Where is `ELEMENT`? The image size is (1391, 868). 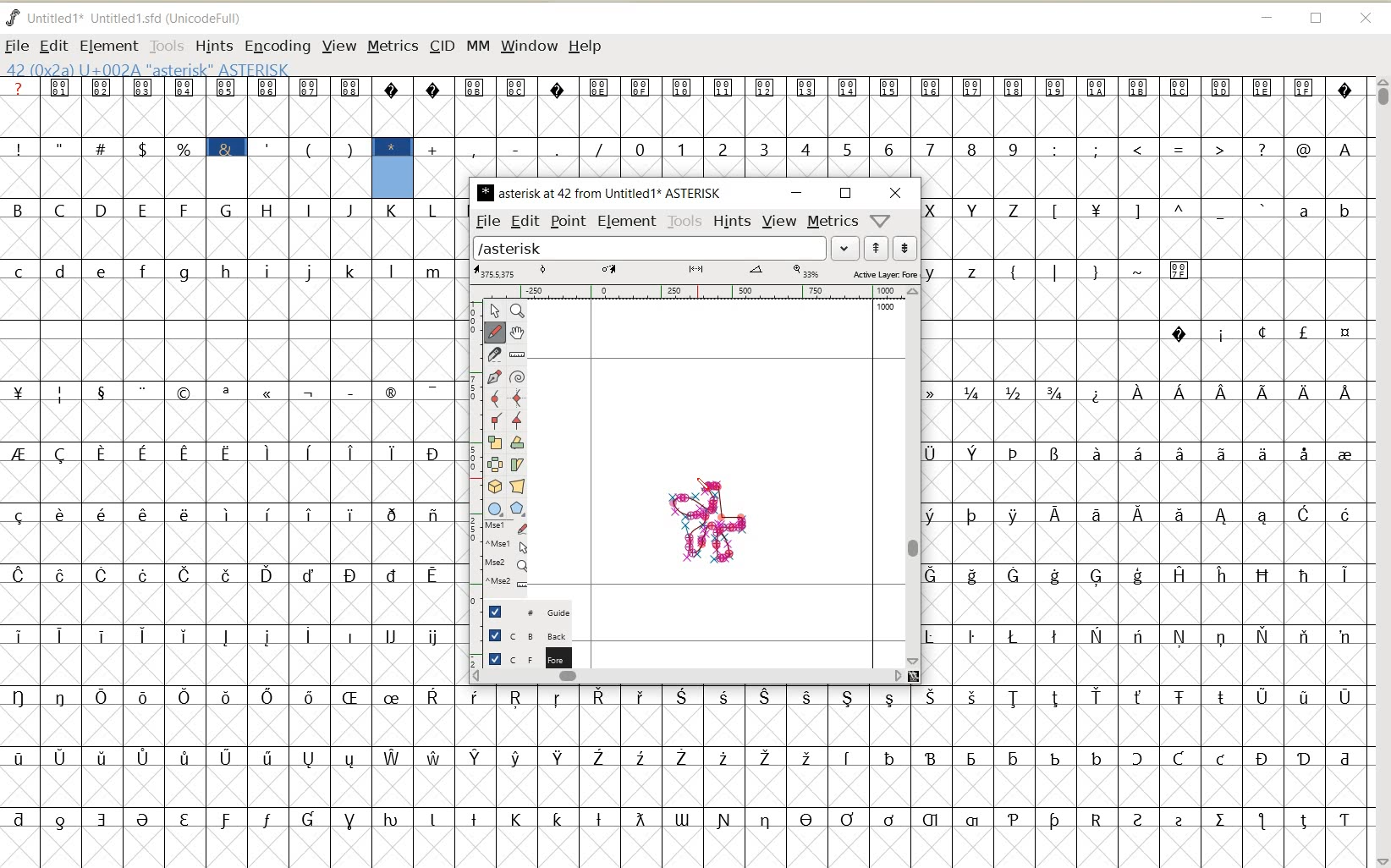
ELEMENT is located at coordinates (629, 222).